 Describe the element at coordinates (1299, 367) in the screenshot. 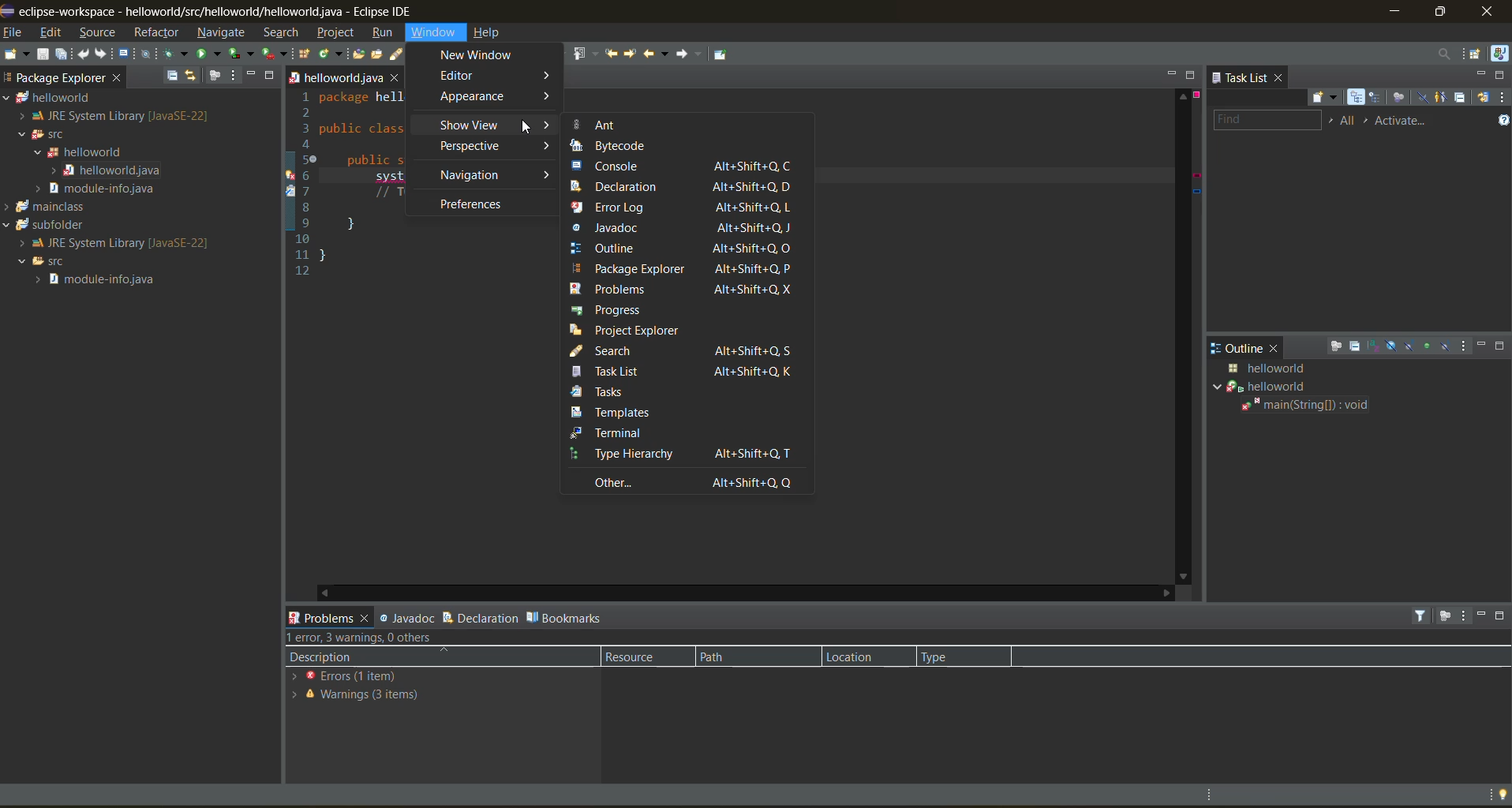

I see `java class details` at that location.